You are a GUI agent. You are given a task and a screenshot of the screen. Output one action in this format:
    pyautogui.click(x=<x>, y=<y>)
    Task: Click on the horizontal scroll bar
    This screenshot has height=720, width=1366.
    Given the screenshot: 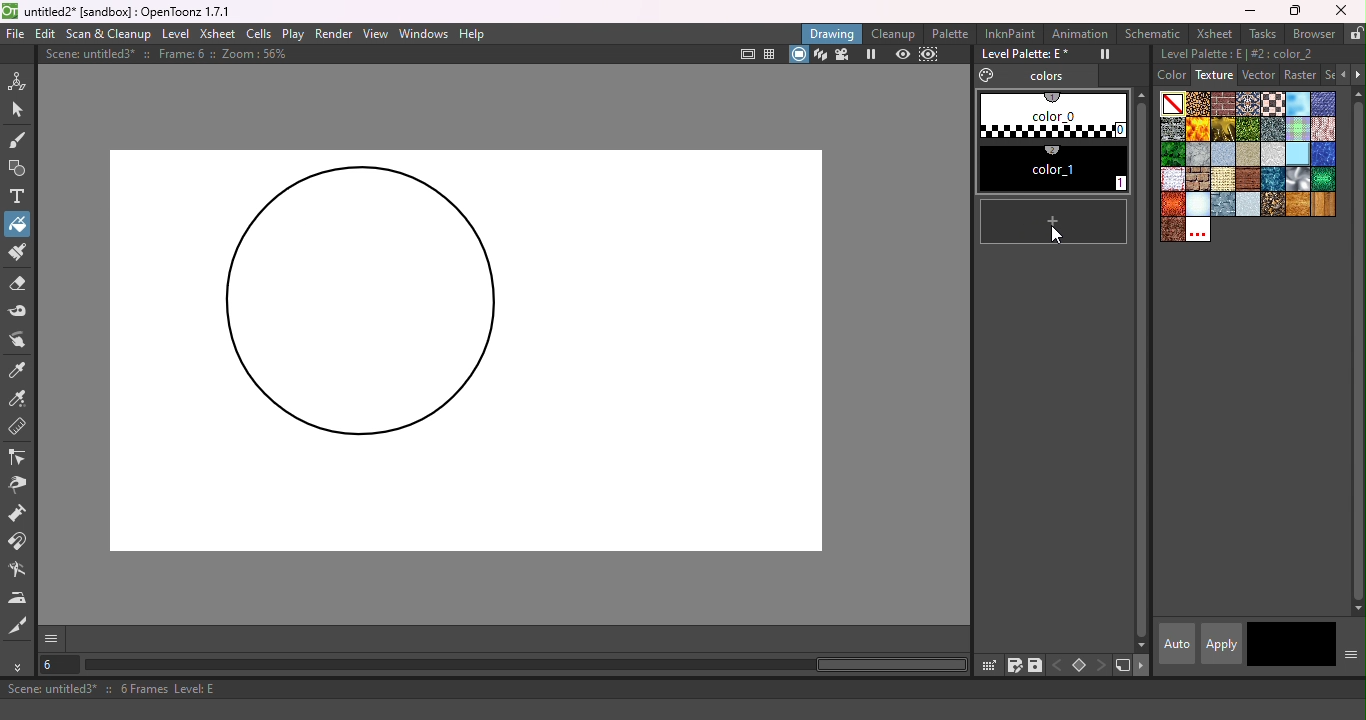 What is the action you would take?
    pyautogui.click(x=527, y=665)
    